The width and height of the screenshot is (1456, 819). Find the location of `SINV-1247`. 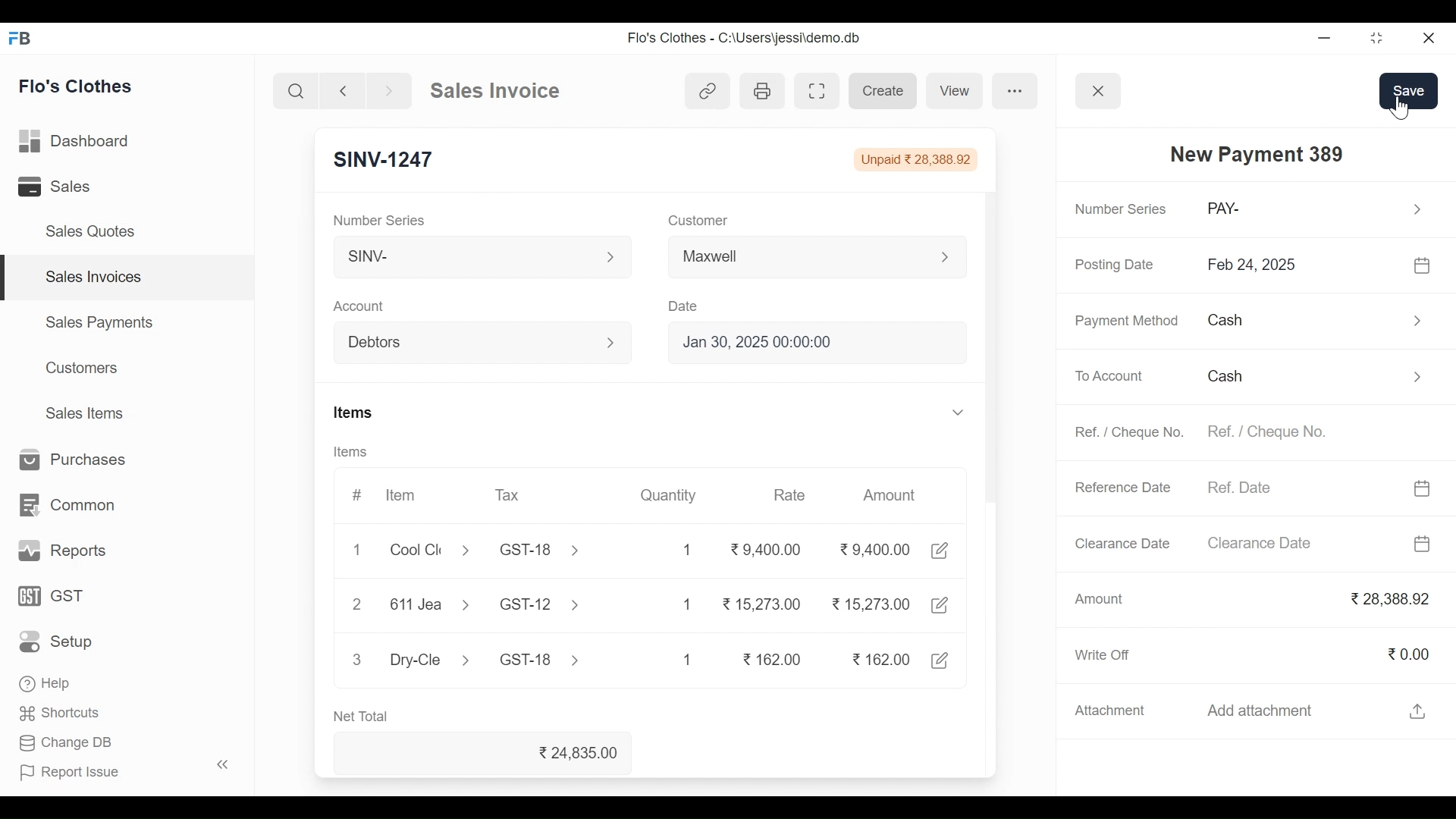

SINV-1247 is located at coordinates (382, 159).